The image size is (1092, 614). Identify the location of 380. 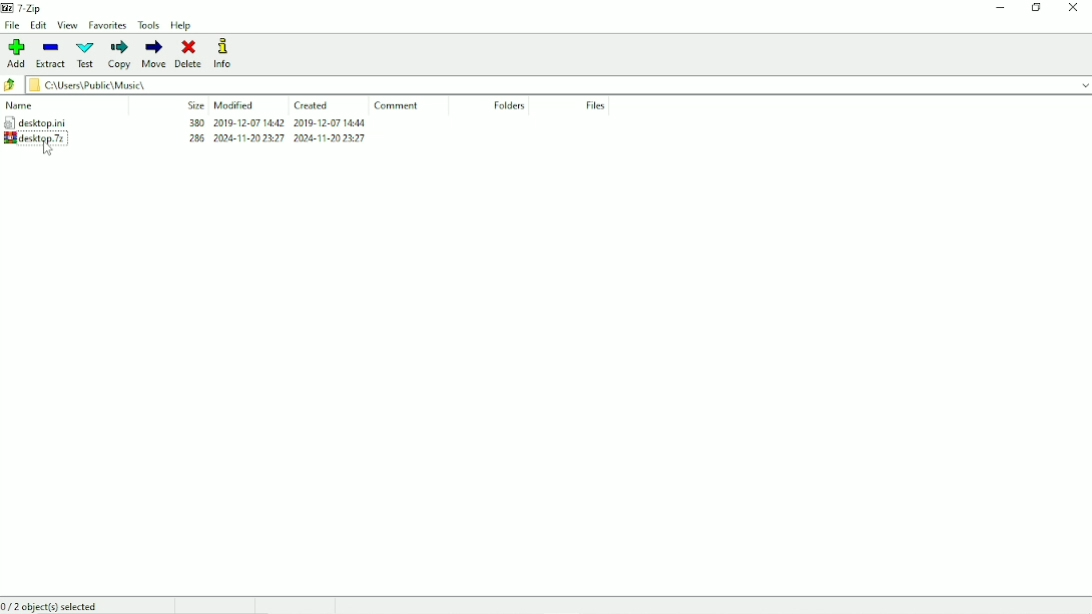
(195, 122).